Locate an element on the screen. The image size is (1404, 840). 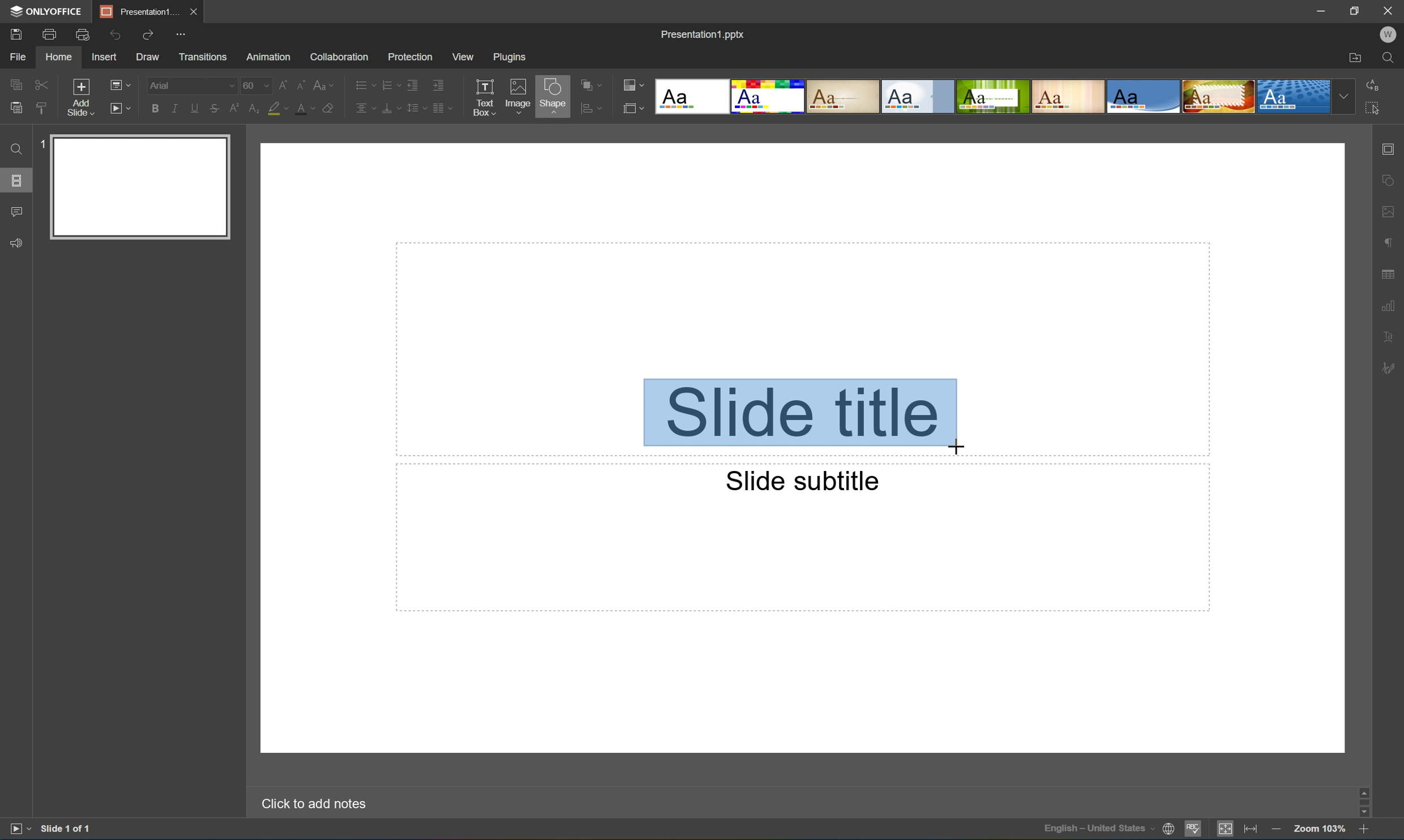
Save is located at coordinates (19, 35).